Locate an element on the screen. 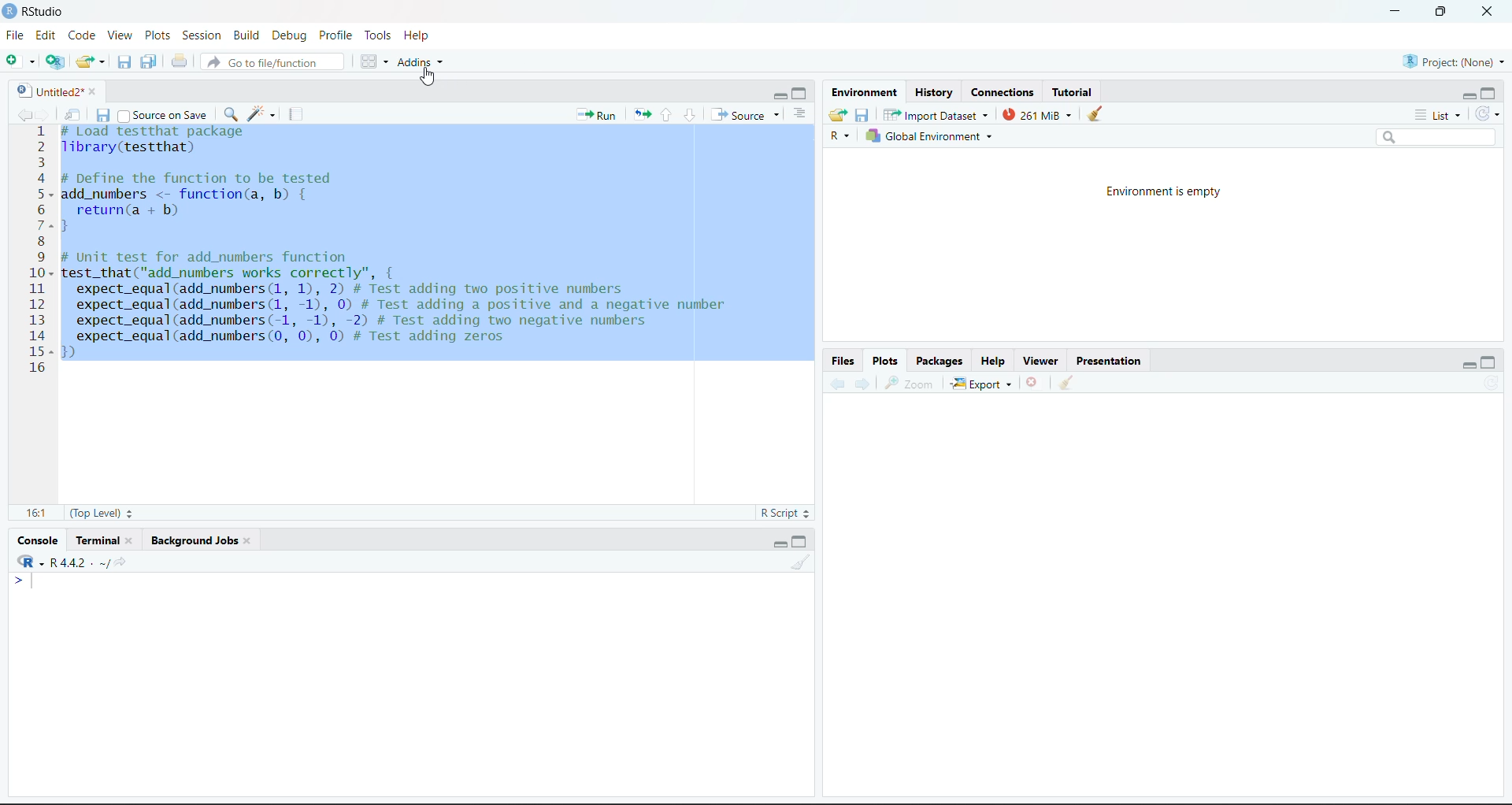 This screenshot has height=805, width=1512. Stepper buttons is located at coordinates (810, 513).